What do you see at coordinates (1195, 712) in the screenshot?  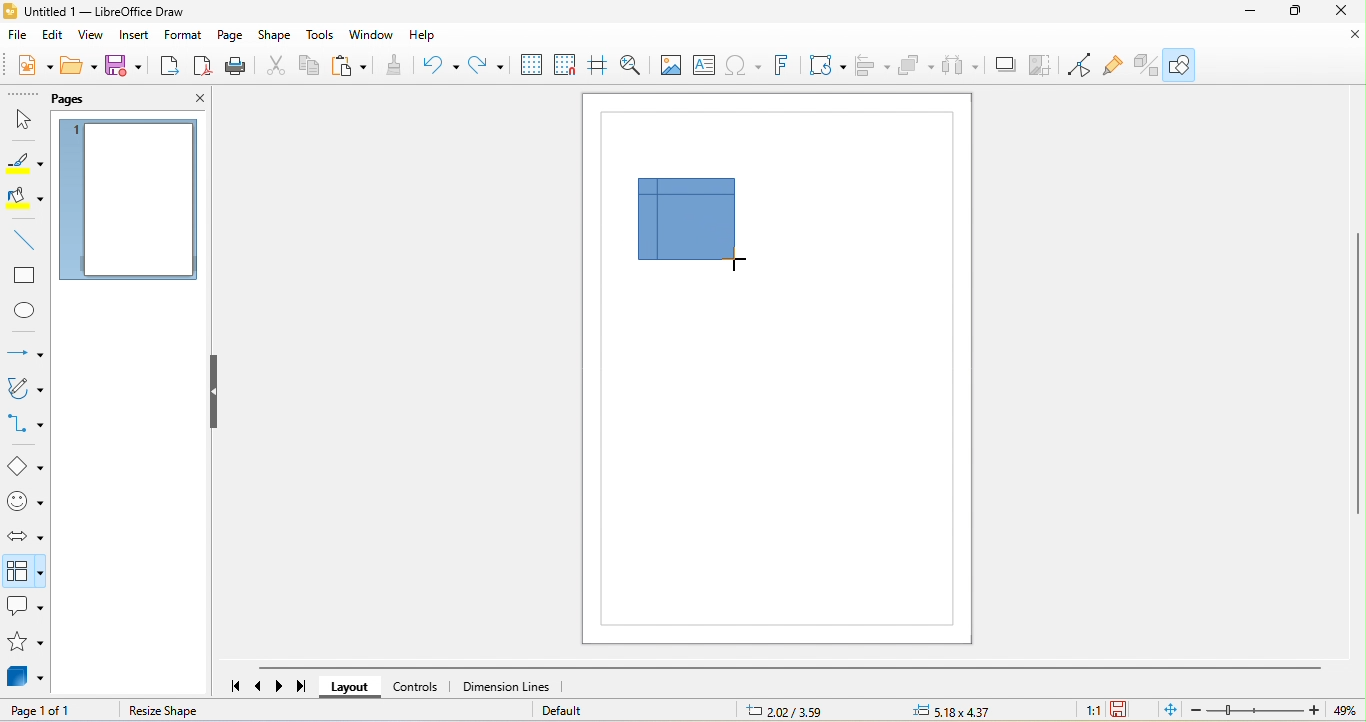 I see `zoom out` at bounding box center [1195, 712].